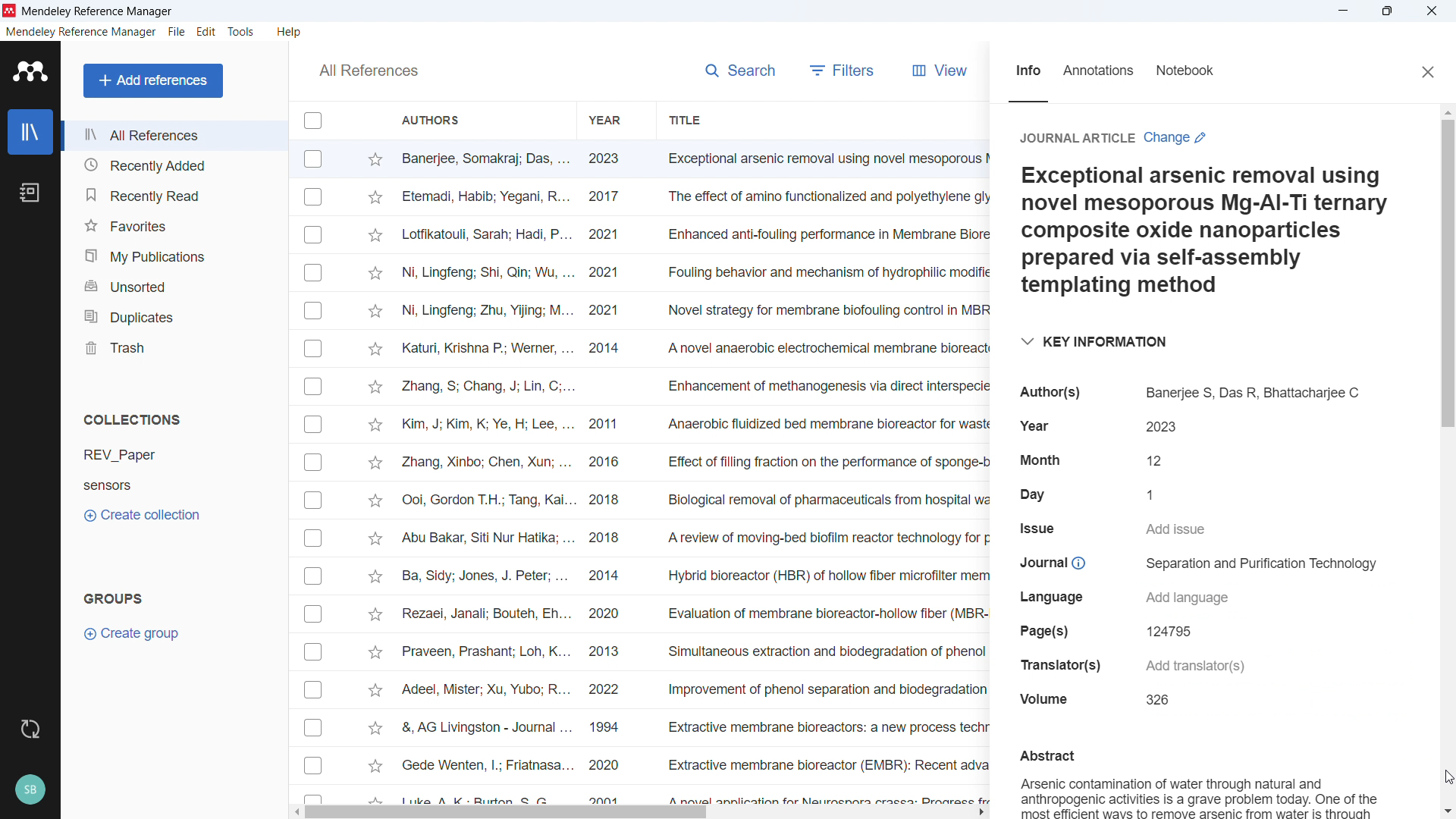 This screenshot has height=819, width=1456. What do you see at coordinates (607, 350) in the screenshot?
I see `2014` at bounding box center [607, 350].